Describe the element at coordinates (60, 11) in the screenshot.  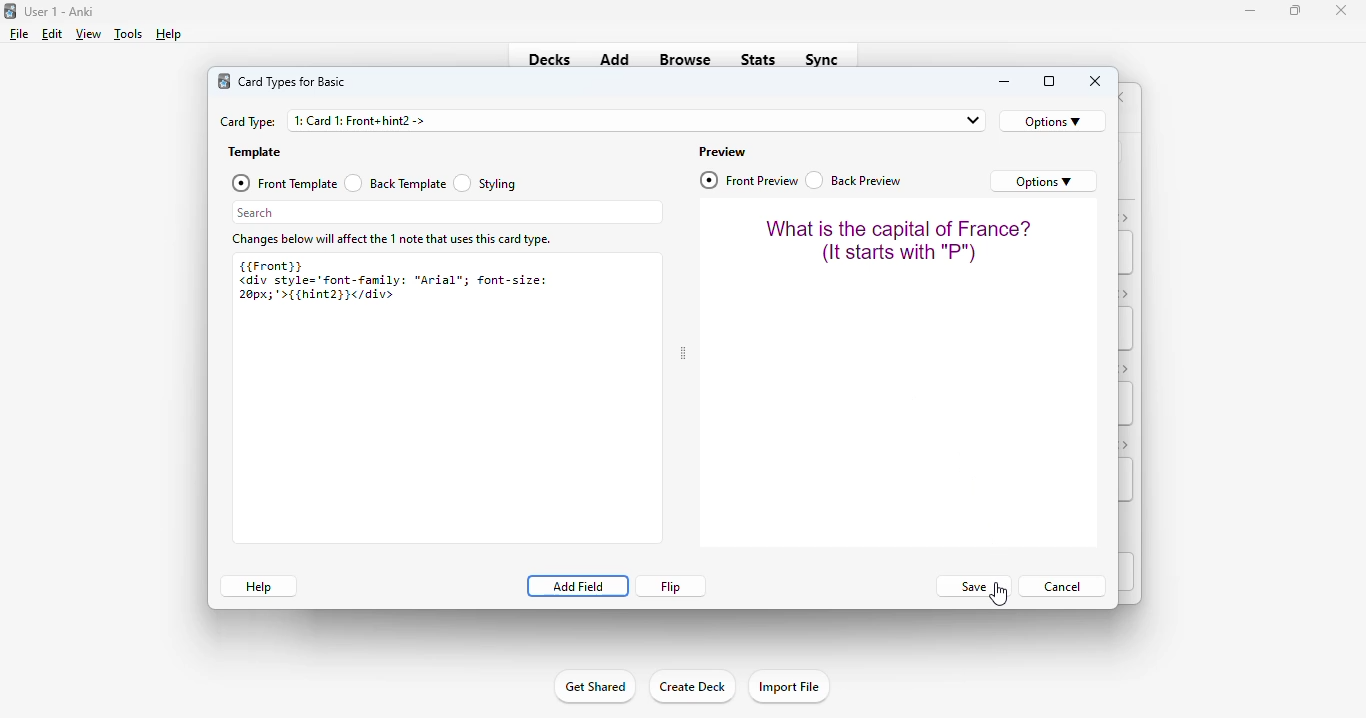
I see `title` at that location.